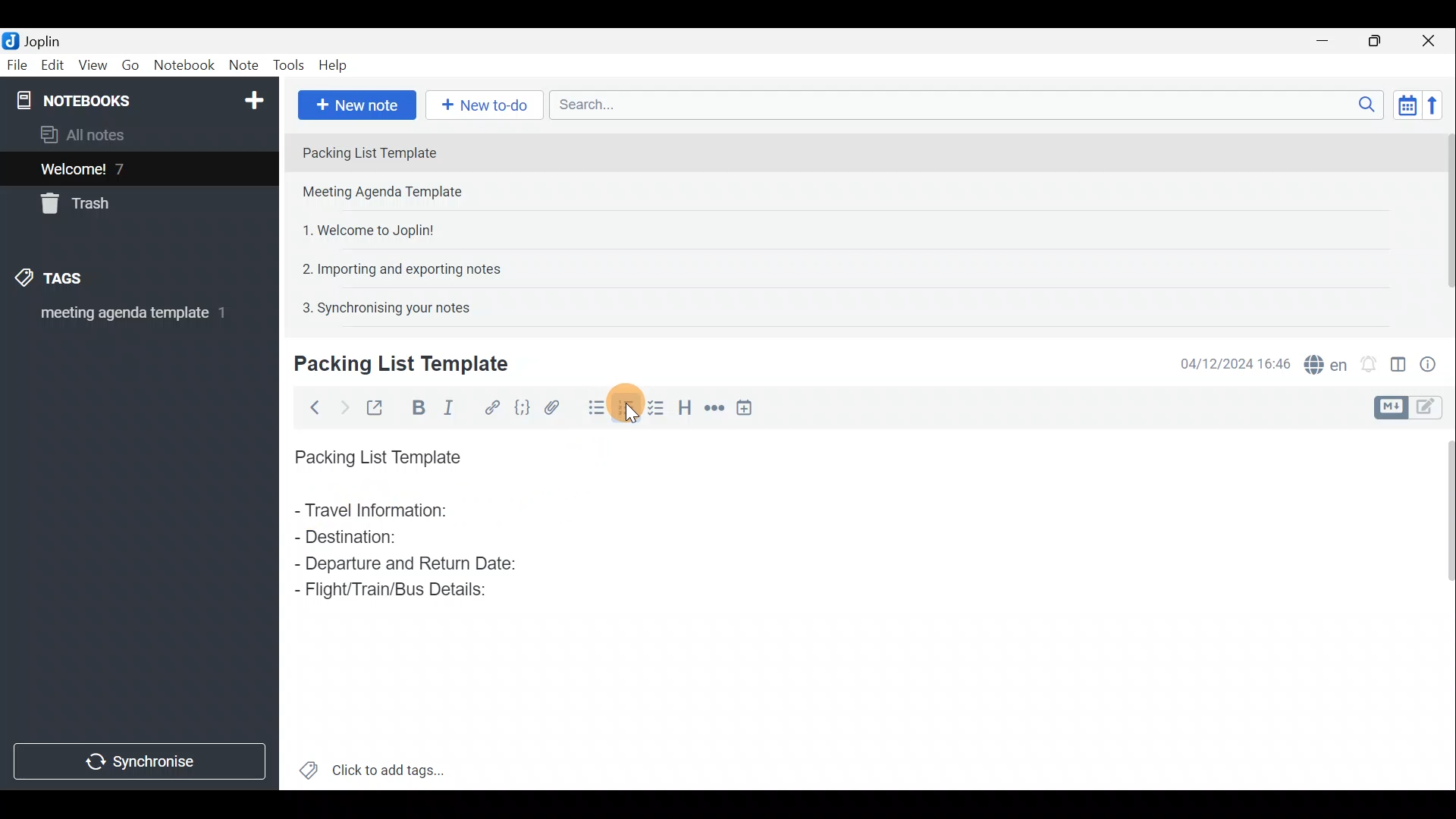 The width and height of the screenshot is (1456, 819). What do you see at coordinates (290, 66) in the screenshot?
I see `Tools` at bounding box center [290, 66].